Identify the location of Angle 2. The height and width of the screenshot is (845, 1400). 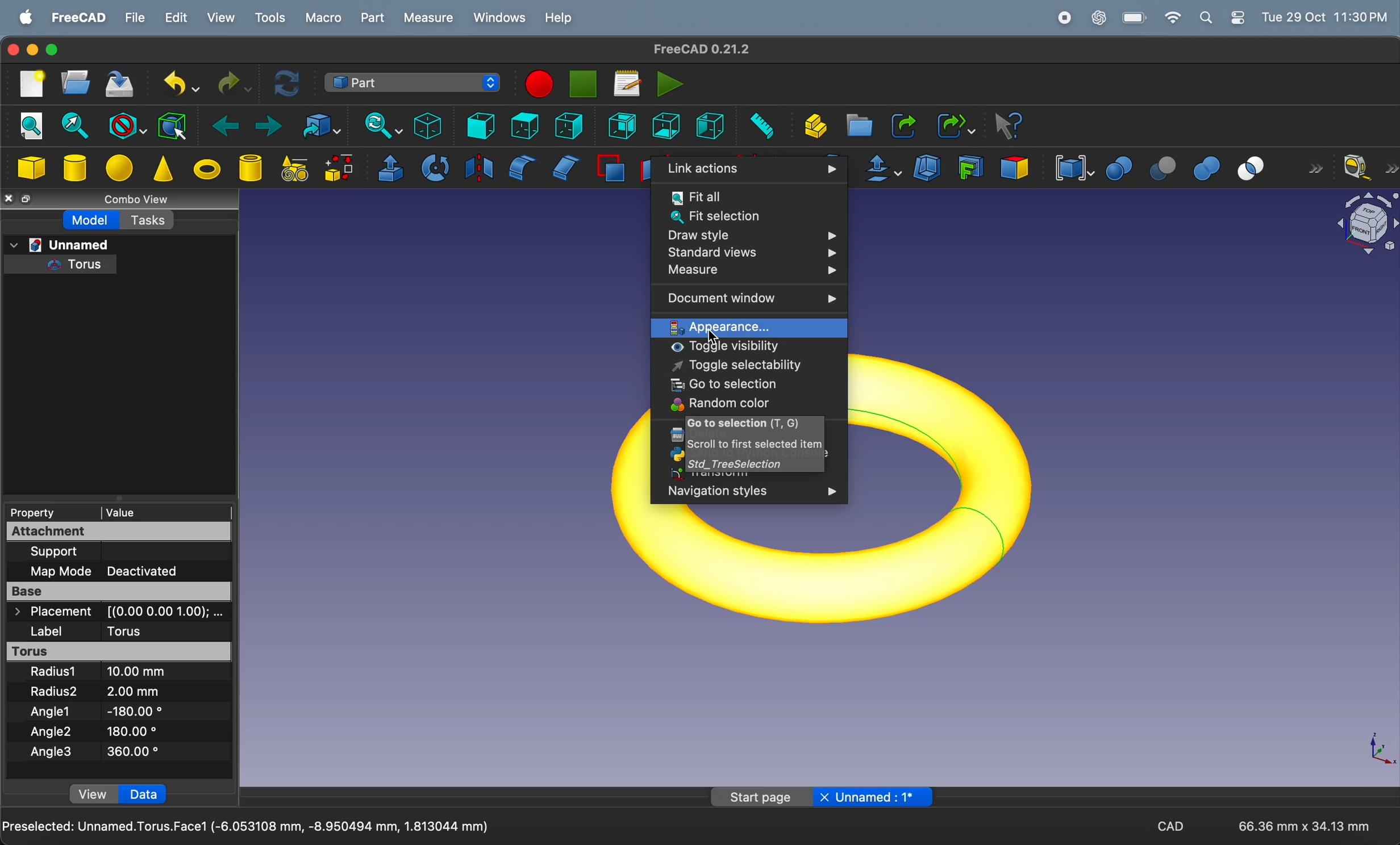
(52, 733).